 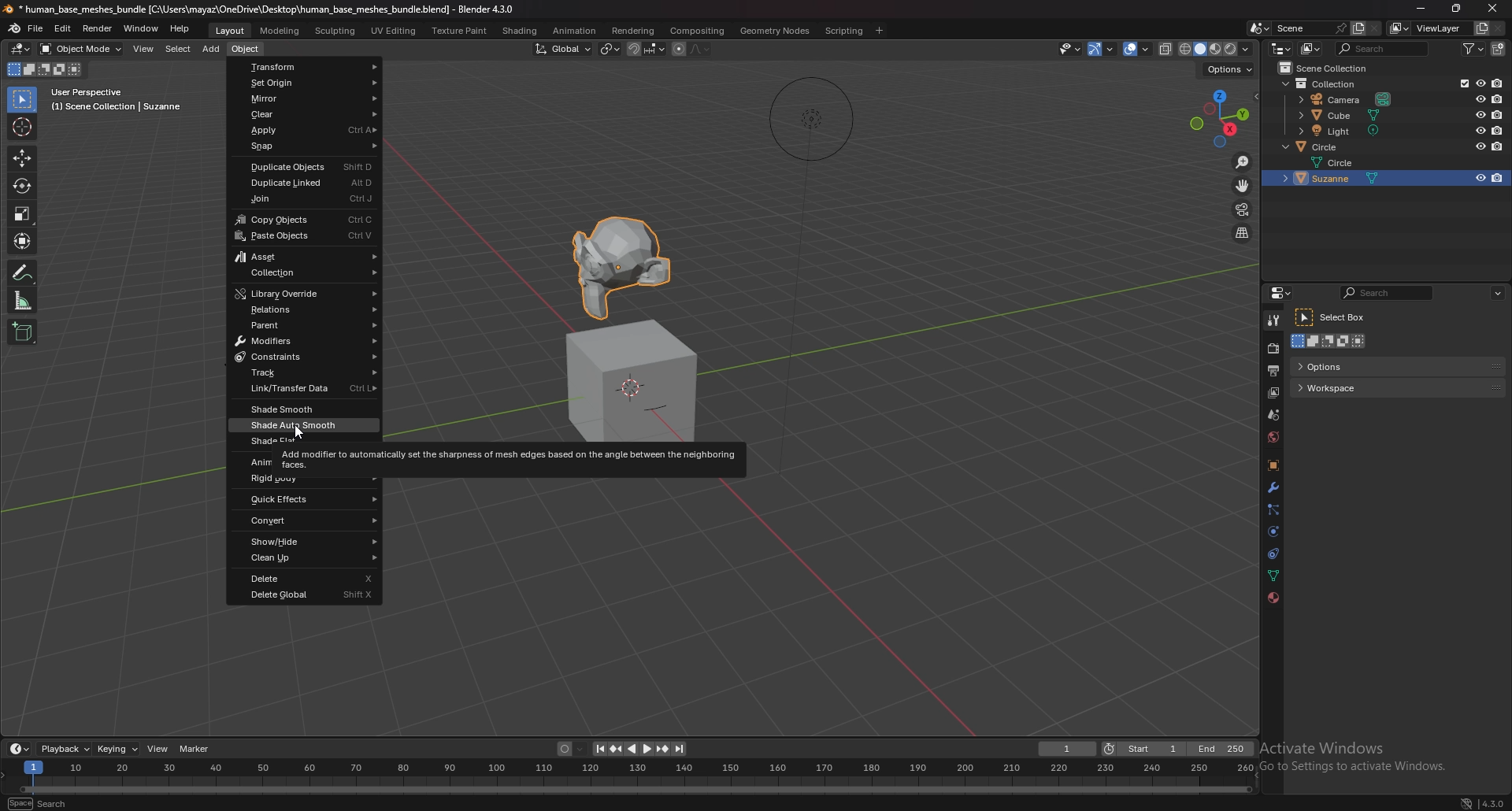 I want to click on link data, so click(x=303, y=391).